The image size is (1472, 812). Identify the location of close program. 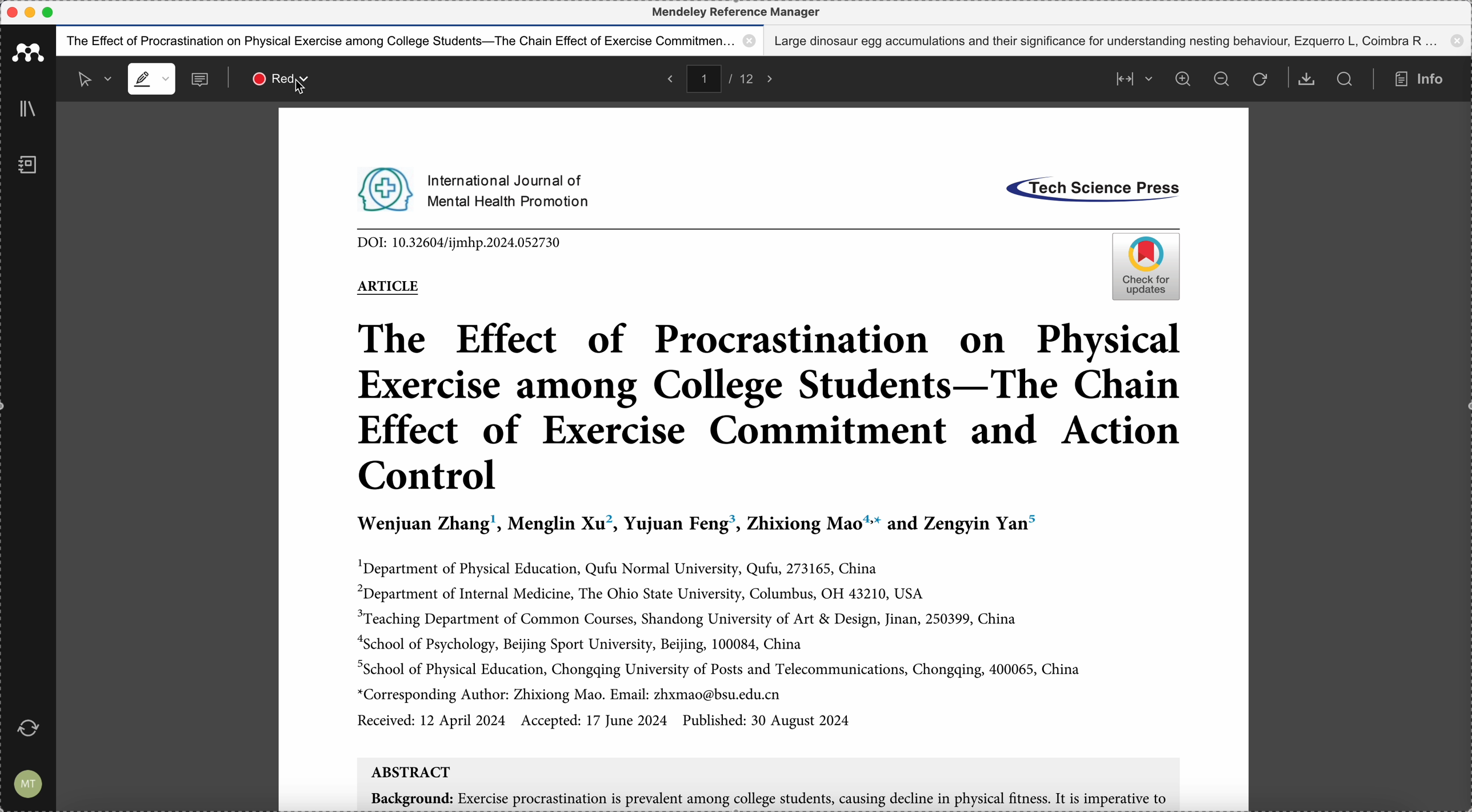
(11, 13).